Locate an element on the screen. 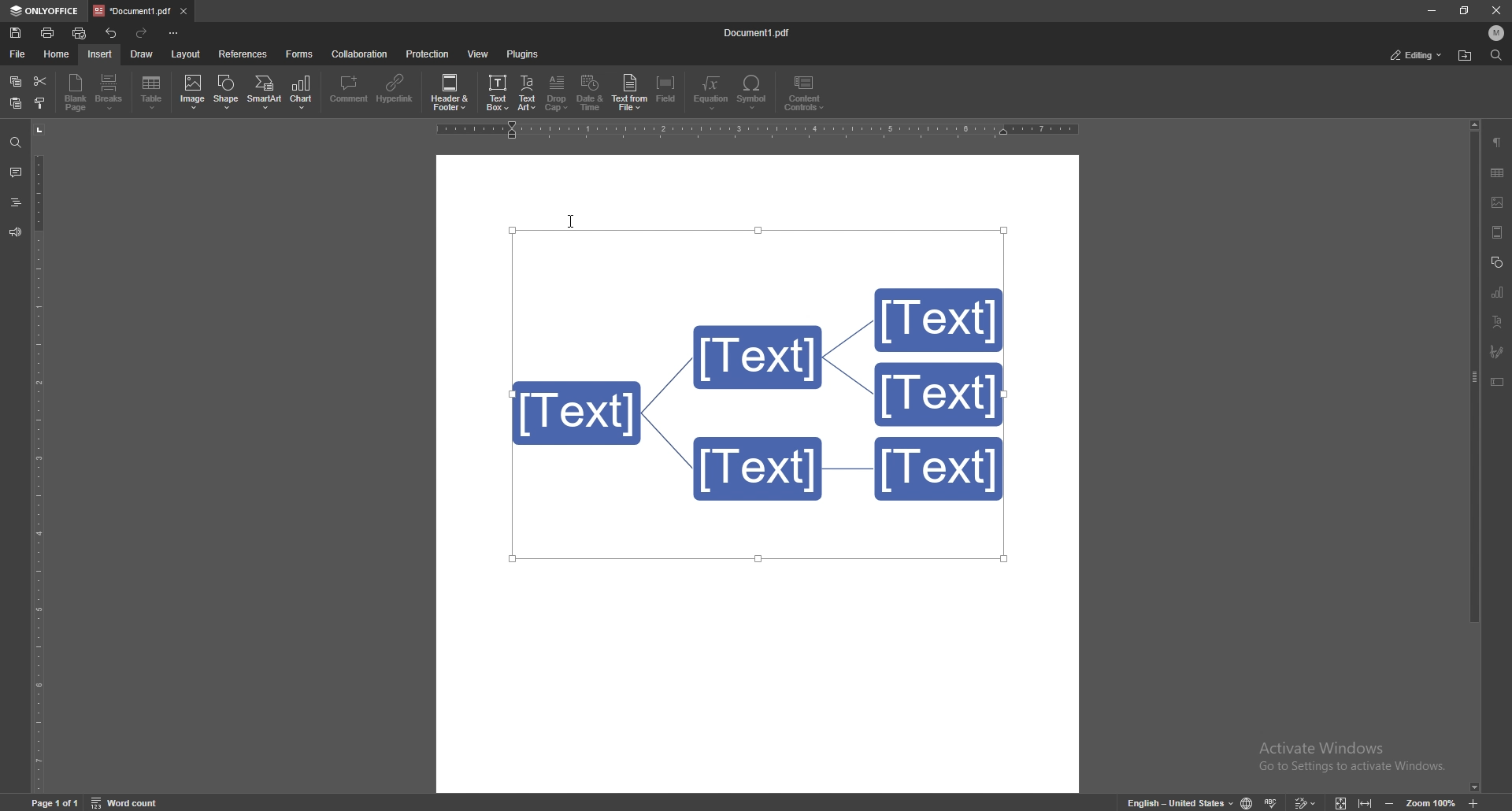  header and footer is located at coordinates (1499, 233).